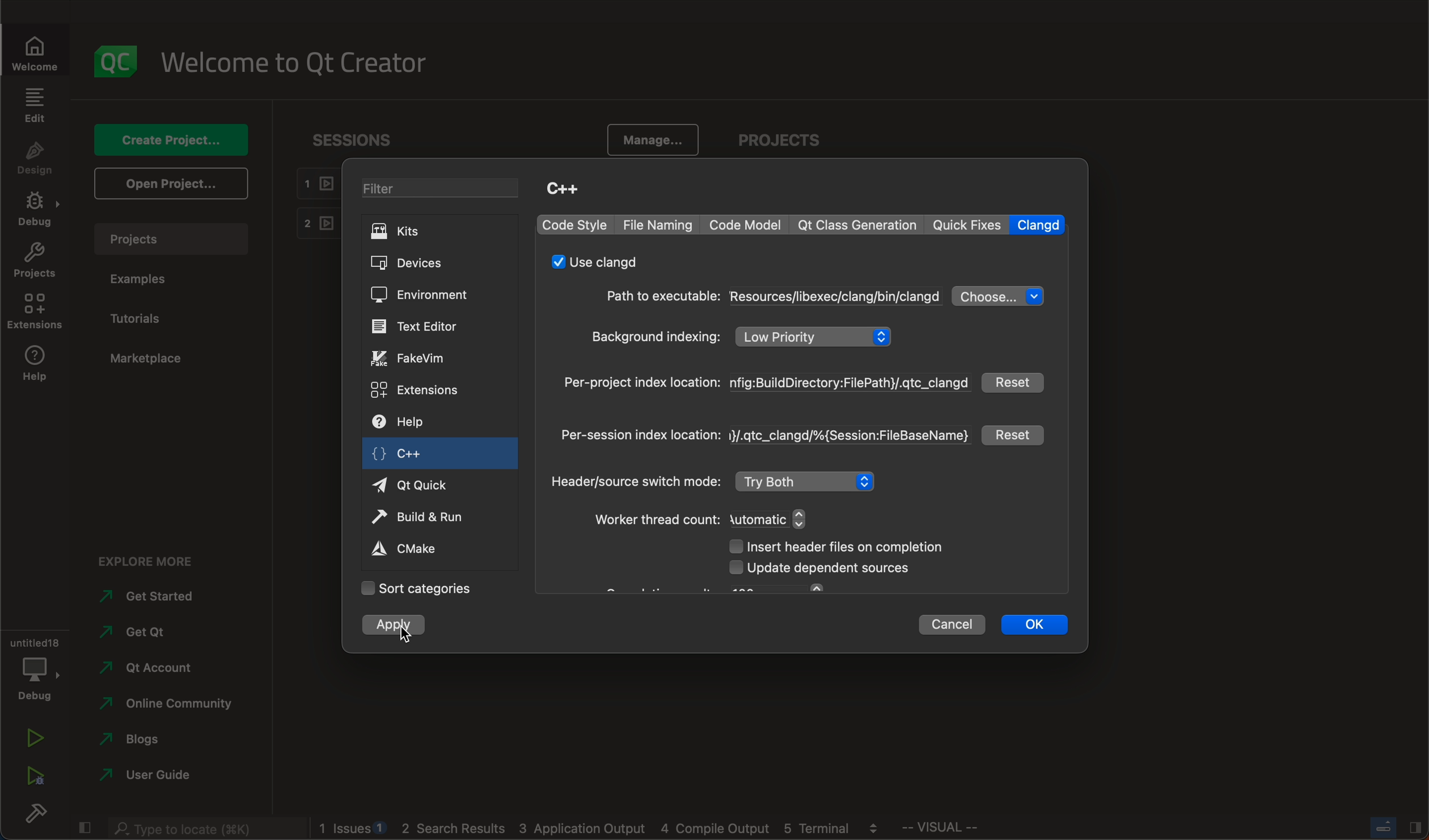 The image size is (1429, 840). What do you see at coordinates (153, 667) in the screenshot?
I see `account` at bounding box center [153, 667].